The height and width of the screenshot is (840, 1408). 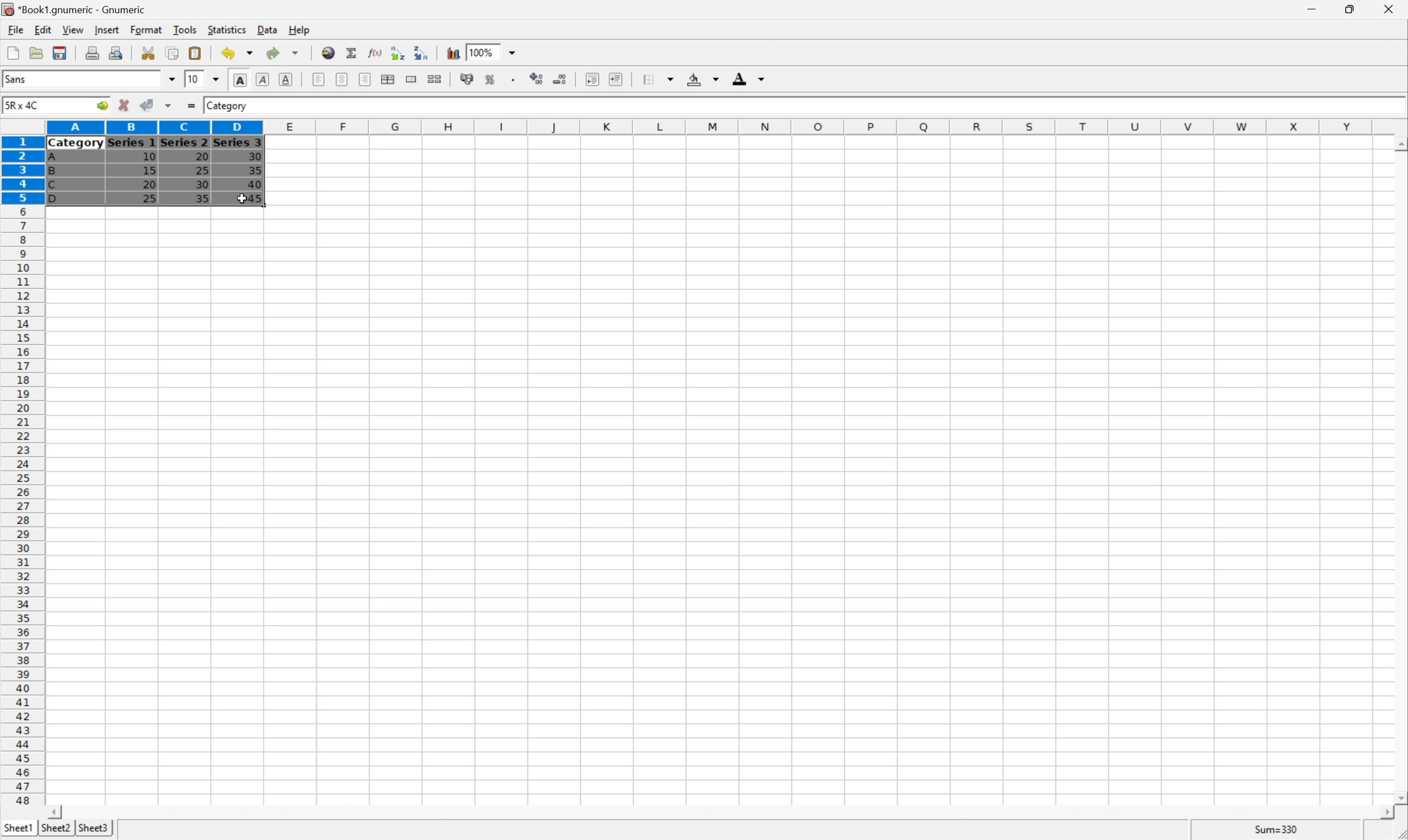 What do you see at coordinates (57, 812) in the screenshot?
I see `Scroll Left` at bounding box center [57, 812].